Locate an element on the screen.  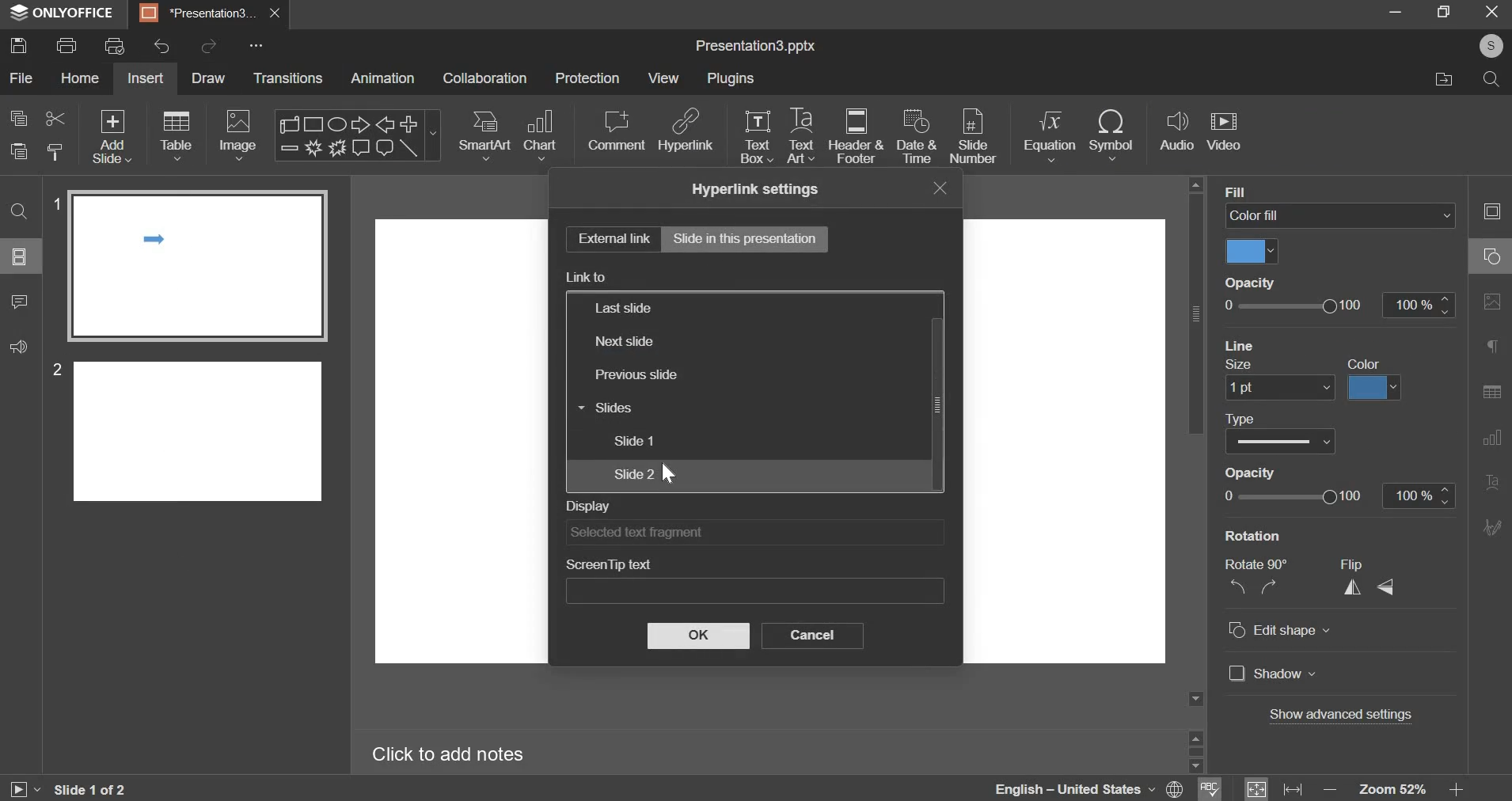
audio is located at coordinates (1178, 131).